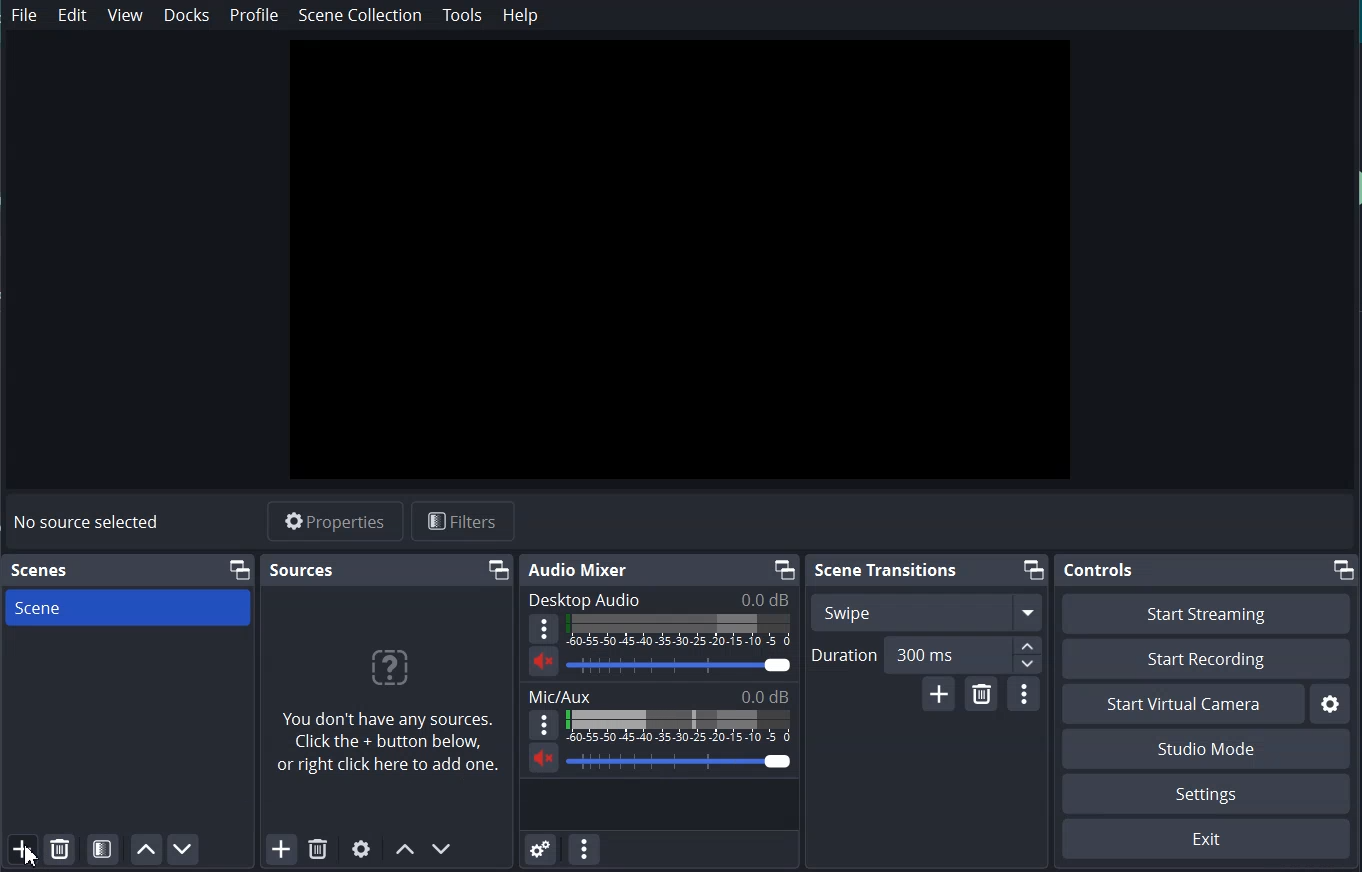 The height and width of the screenshot is (872, 1362). I want to click on More, so click(543, 628).